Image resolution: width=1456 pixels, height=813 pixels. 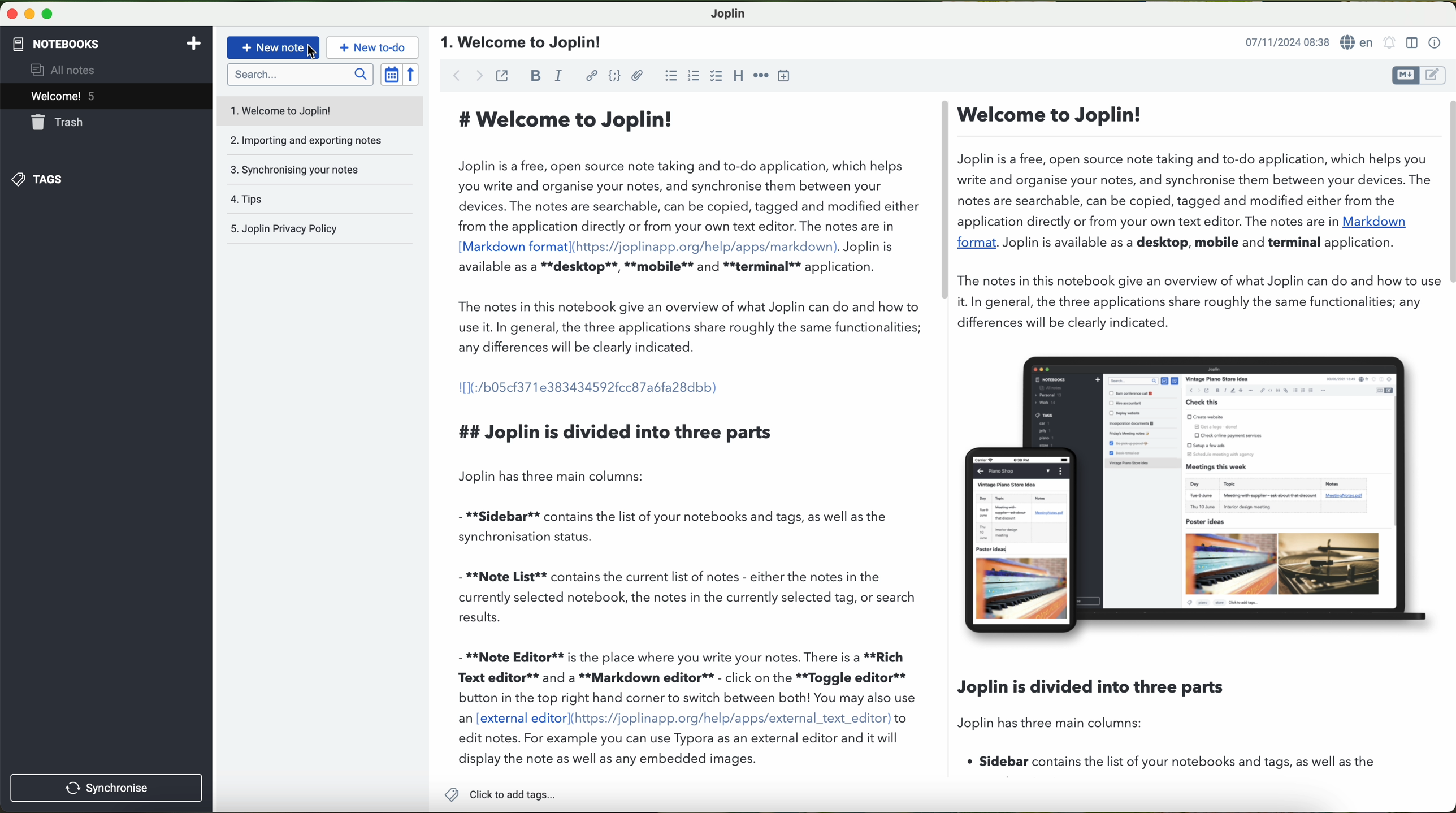 What do you see at coordinates (63, 96) in the screenshot?
I see `welcome 5` at bounding box center [63, 96].